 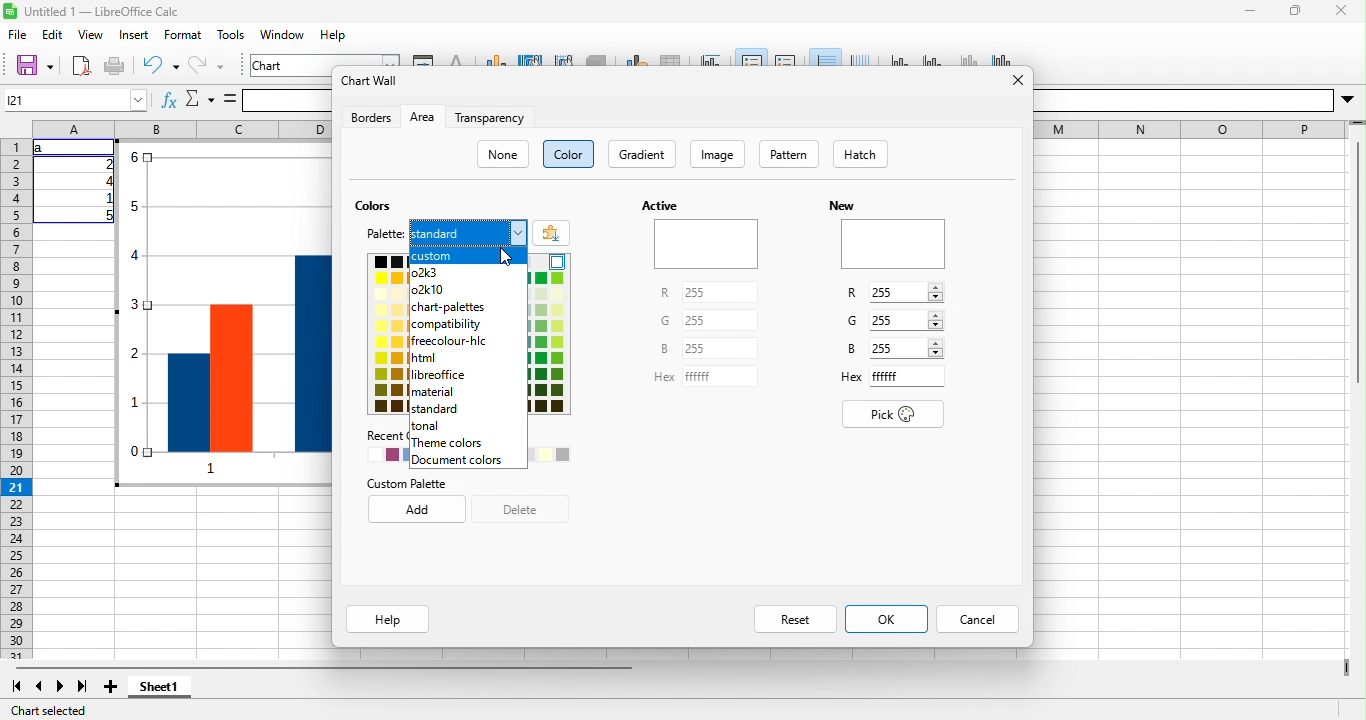 I want to click on horizontal grids, so click(x=825, y=57).